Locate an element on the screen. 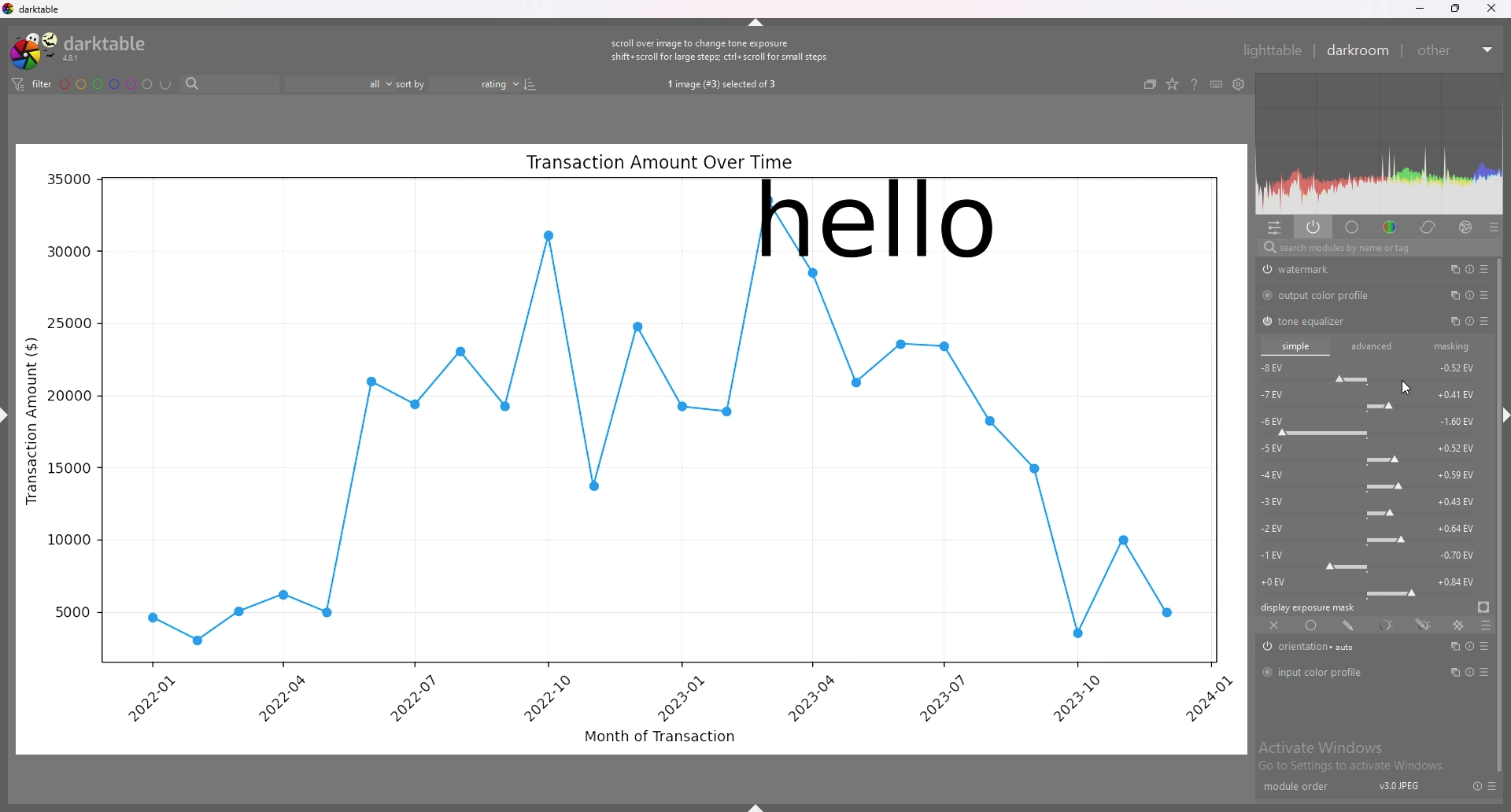 The height and width of the screenshot is (812, 1511). scroll over image to change tone exposure shift+scroll for large steps; ctrl+ scroll for small steps. is located at coordinates (721, 50).